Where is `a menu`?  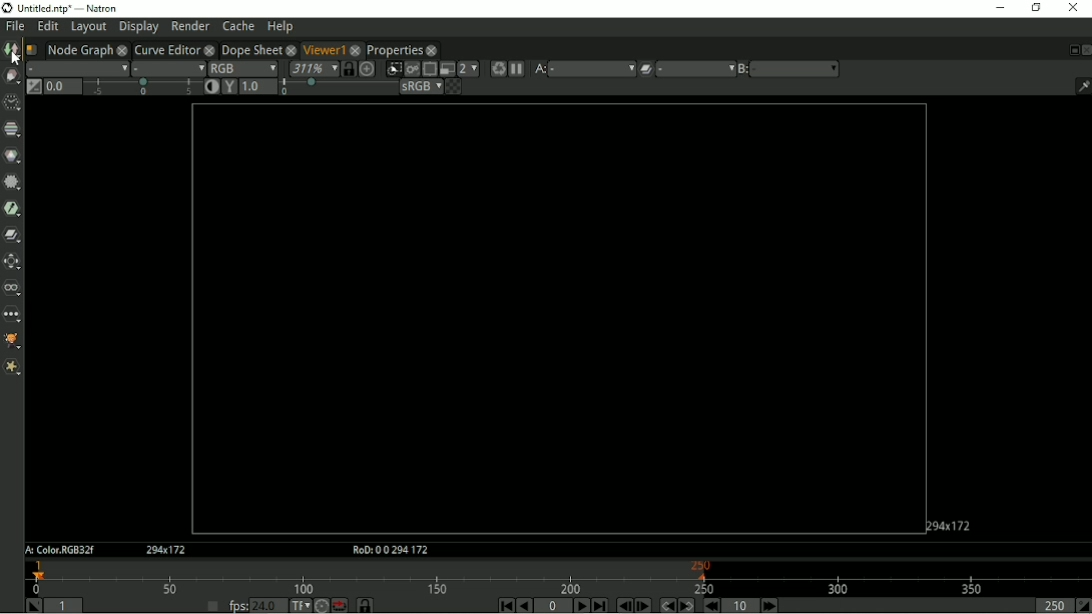 a menu is located at coordinates (594, 68).